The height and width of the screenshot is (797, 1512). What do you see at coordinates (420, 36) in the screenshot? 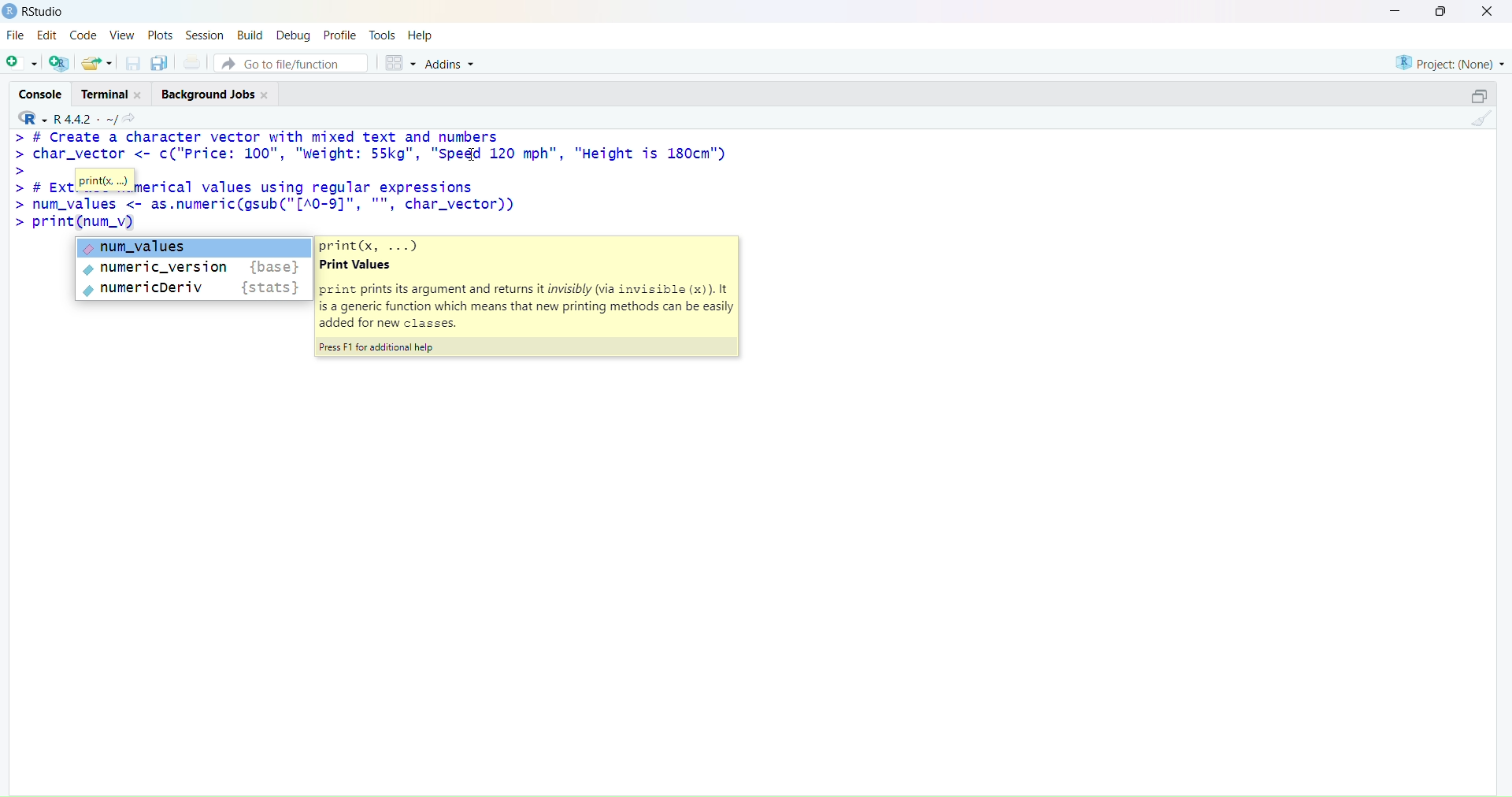
I see `help` at bounding box center [420, 36].